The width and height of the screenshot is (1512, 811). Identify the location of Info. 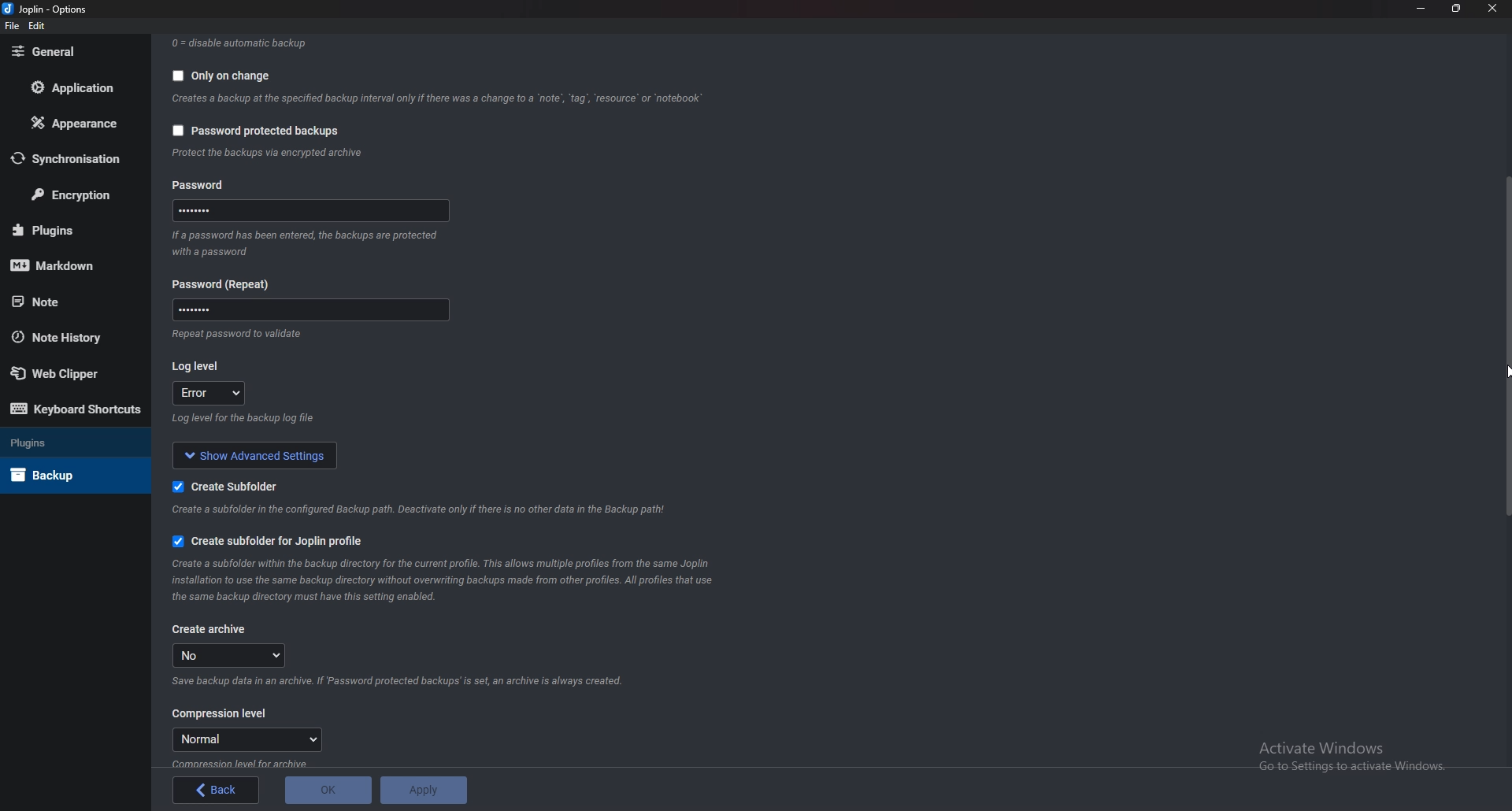
(243, 763).